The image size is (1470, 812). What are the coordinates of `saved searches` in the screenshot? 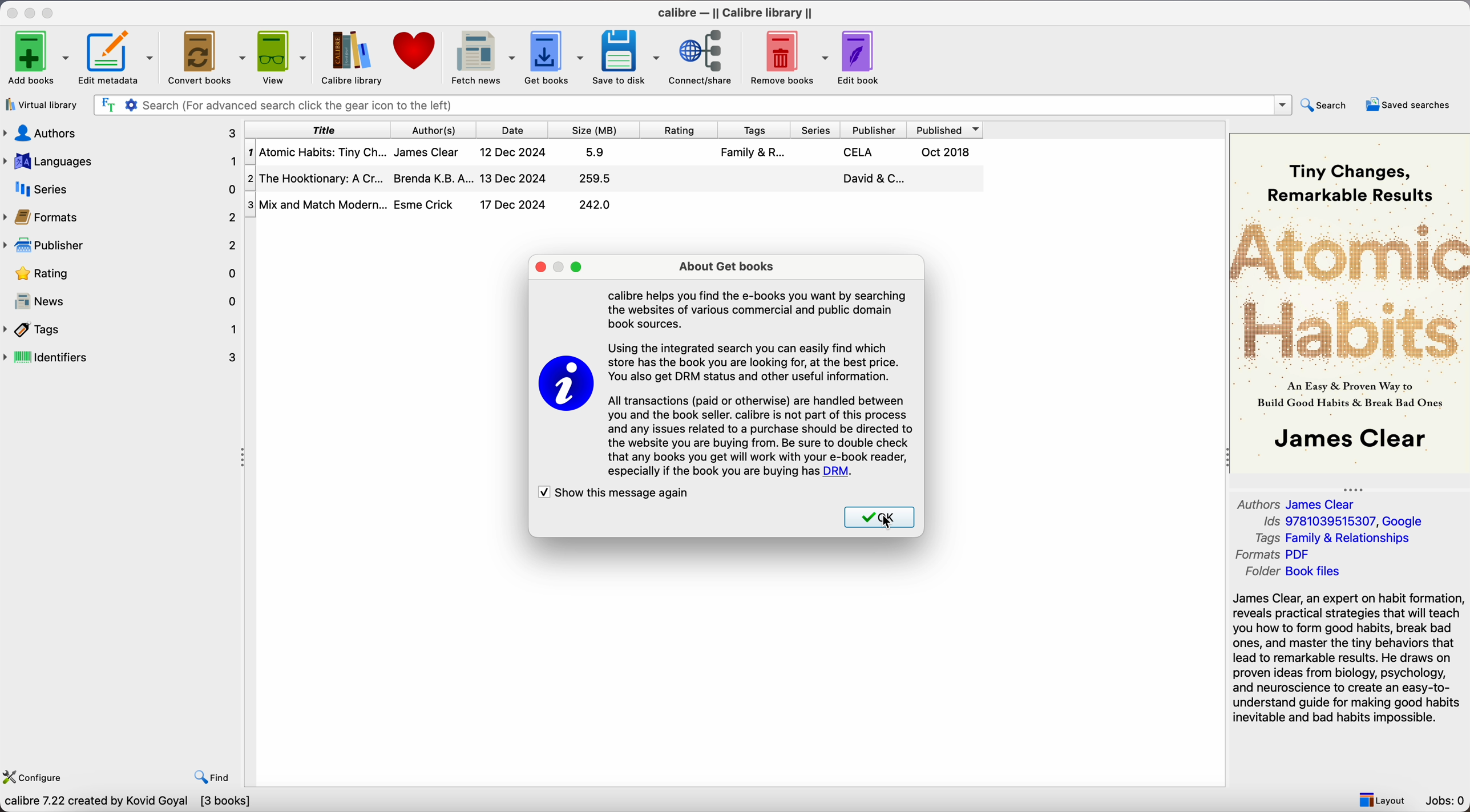 It's located at (1408, 103).